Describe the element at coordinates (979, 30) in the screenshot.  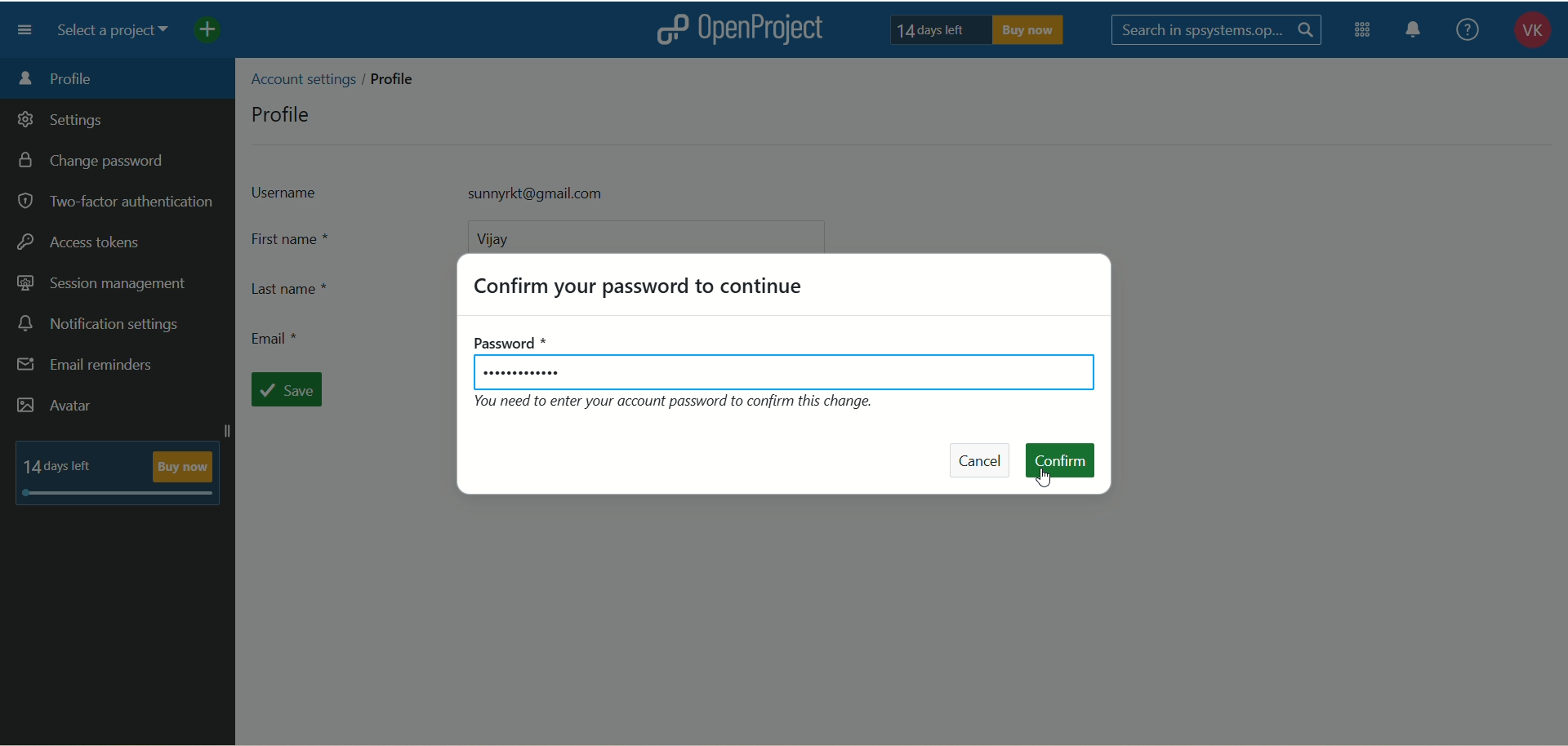
I see `text` at that location.